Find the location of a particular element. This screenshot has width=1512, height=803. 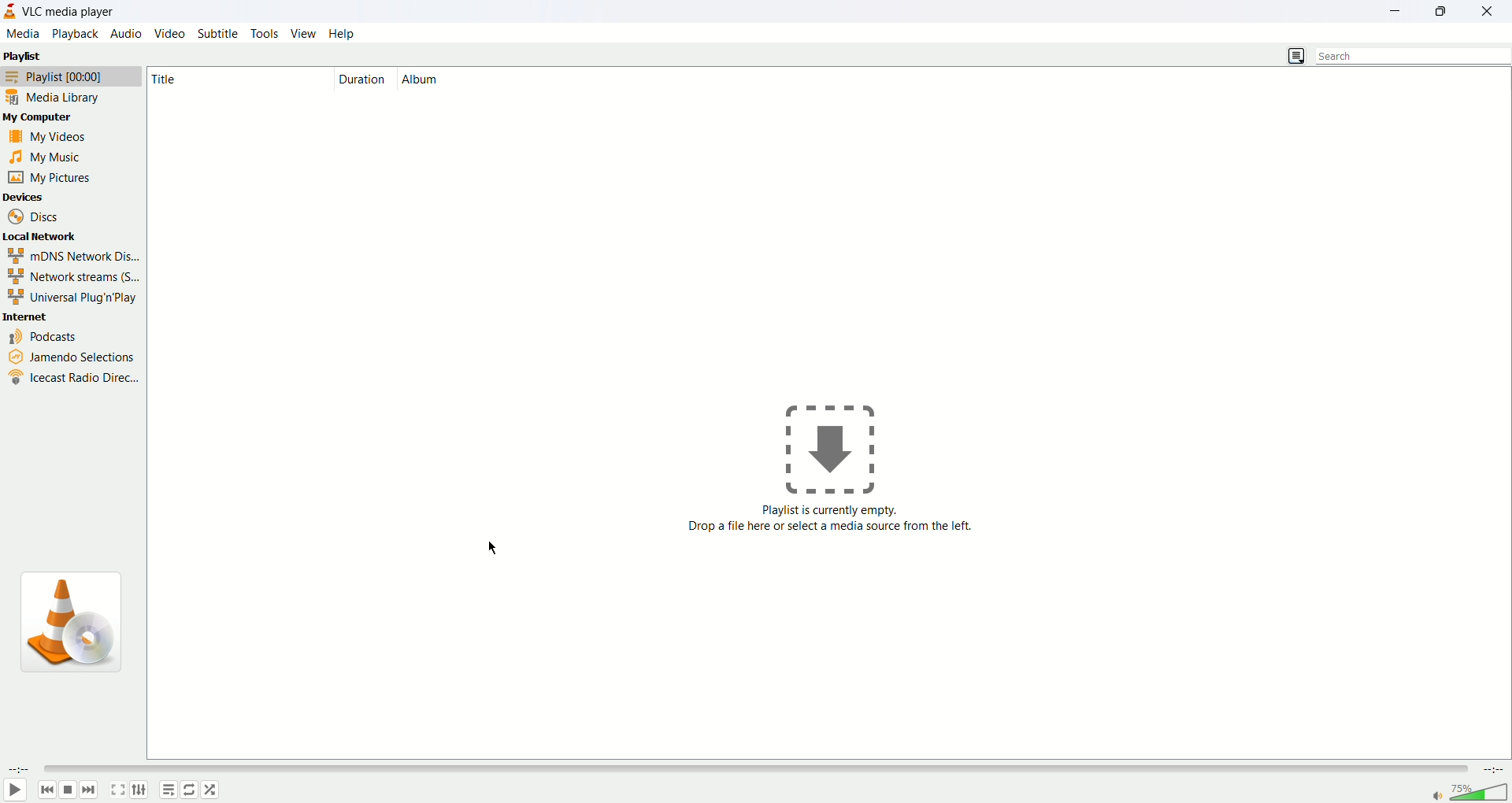

elapsed time is located at coordinates (18, 770).